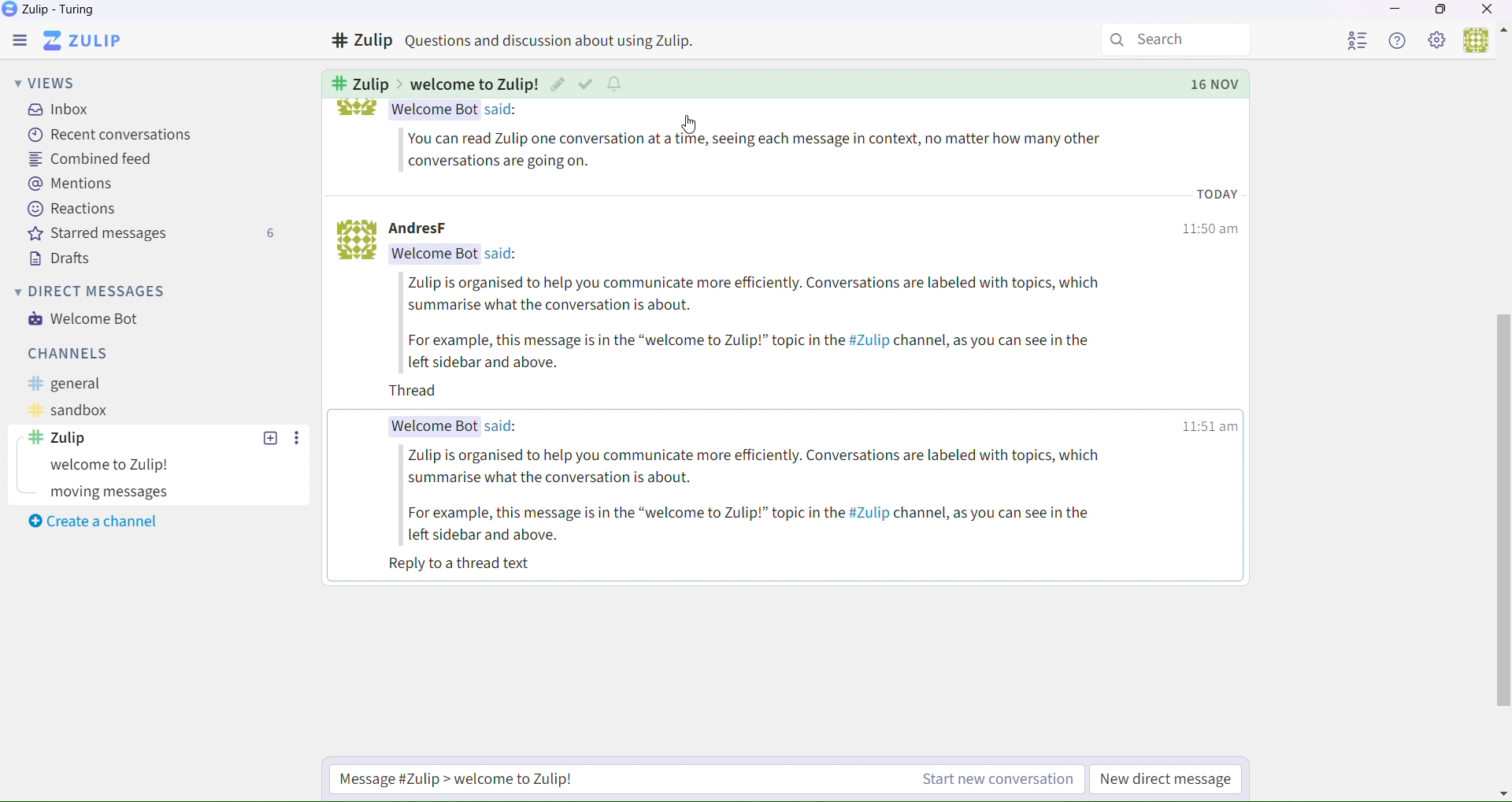  What do you see at coordinates (351, 40) in the screenshot?
I see `` at bounding box center [351, 40].